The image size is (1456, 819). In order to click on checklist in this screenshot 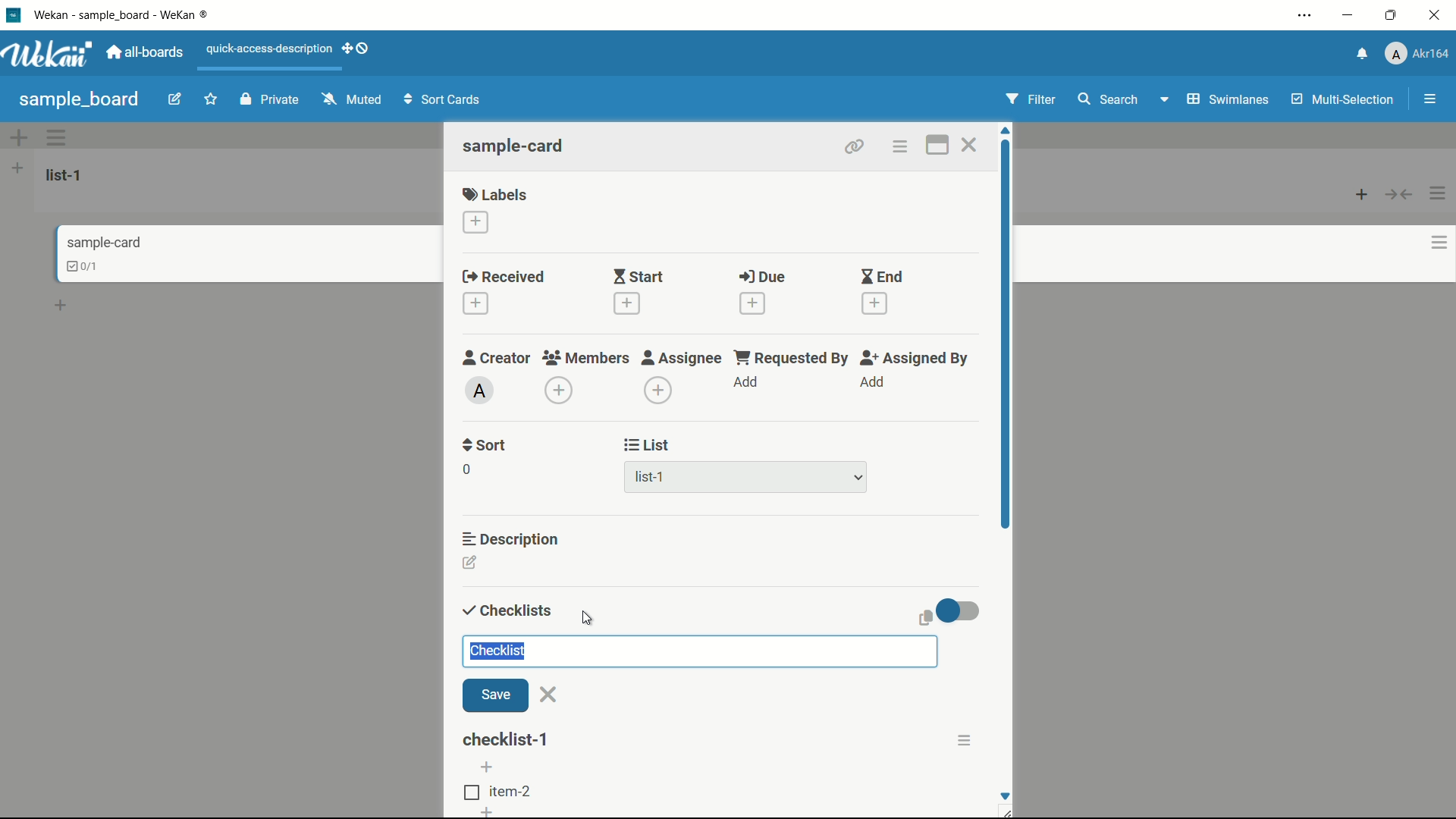, I will do `click(504, 611)`.